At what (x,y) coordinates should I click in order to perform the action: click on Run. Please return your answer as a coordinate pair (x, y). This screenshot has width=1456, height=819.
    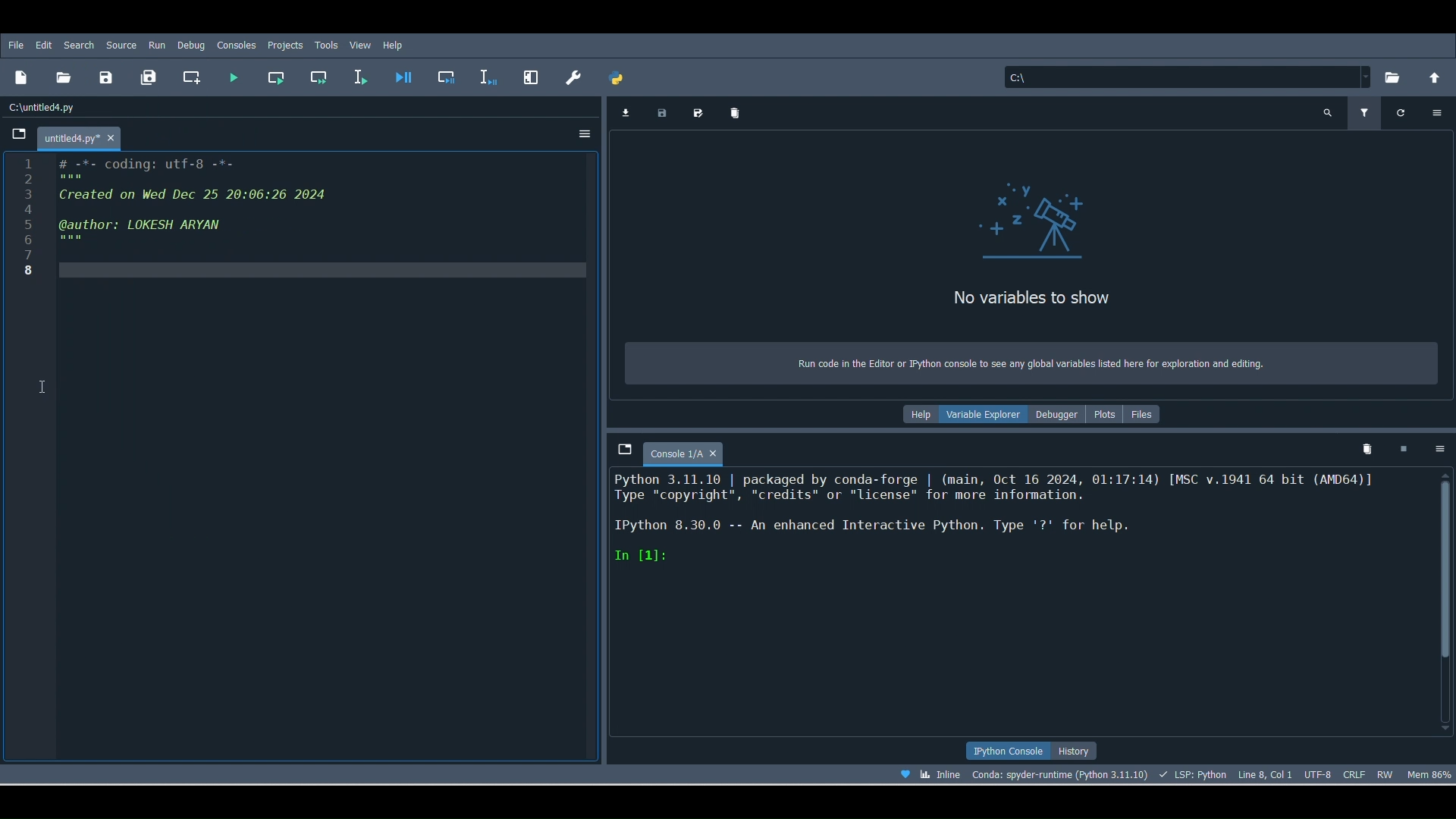
    Looking at the image, I should click on (156, 45).